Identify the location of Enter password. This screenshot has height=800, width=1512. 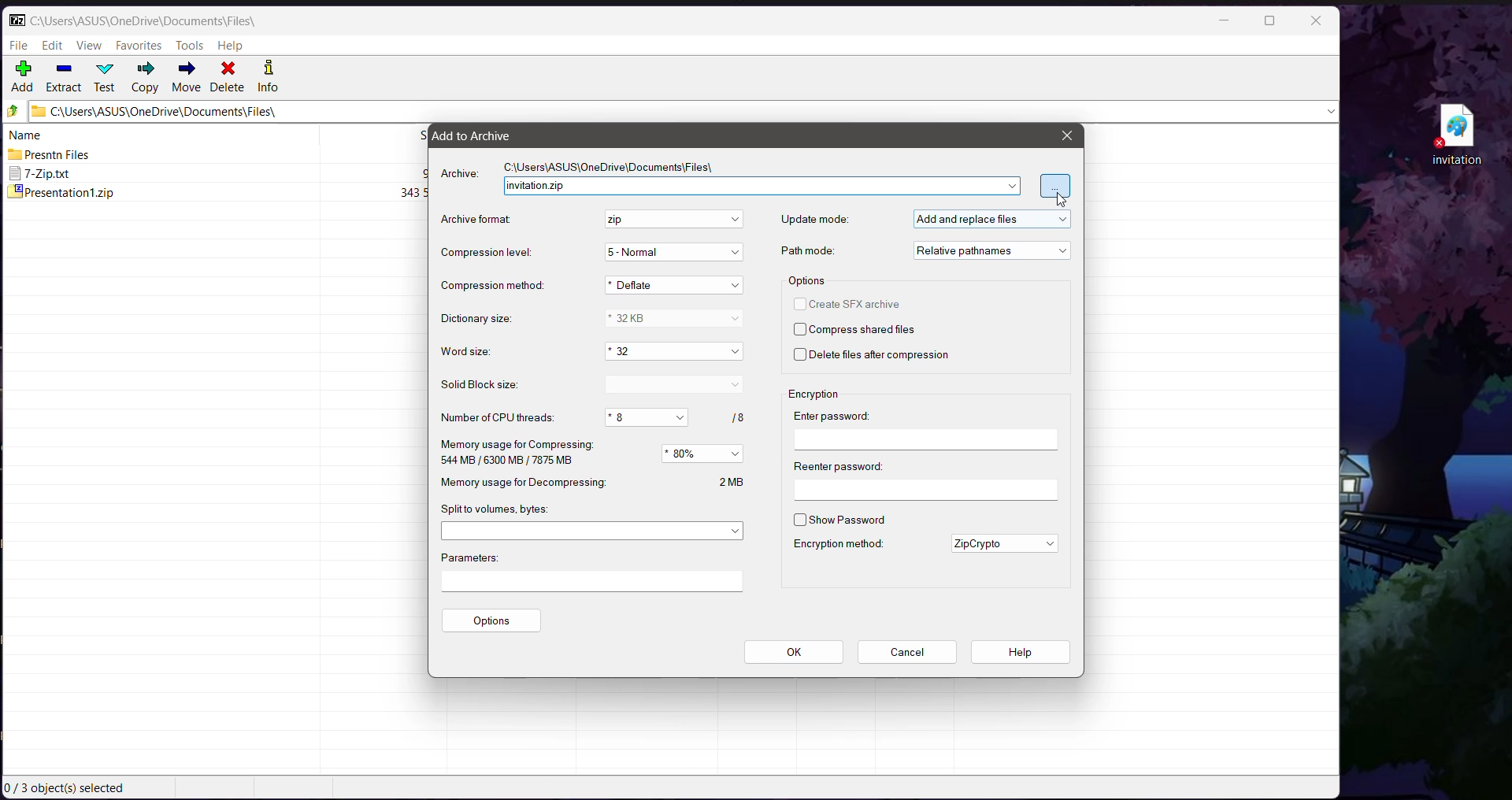
(925, 428).